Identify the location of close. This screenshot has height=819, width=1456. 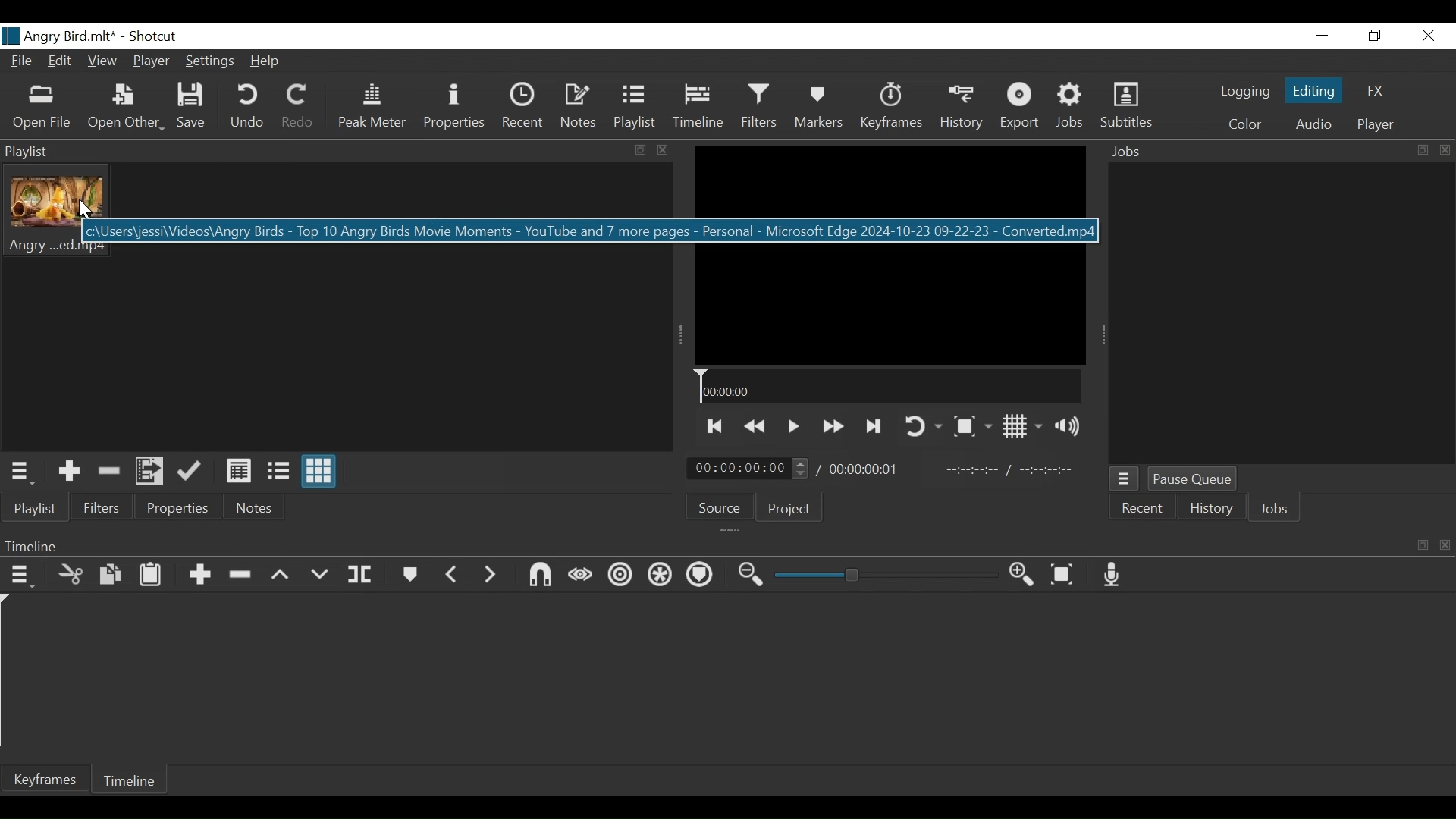
(1429, 35).